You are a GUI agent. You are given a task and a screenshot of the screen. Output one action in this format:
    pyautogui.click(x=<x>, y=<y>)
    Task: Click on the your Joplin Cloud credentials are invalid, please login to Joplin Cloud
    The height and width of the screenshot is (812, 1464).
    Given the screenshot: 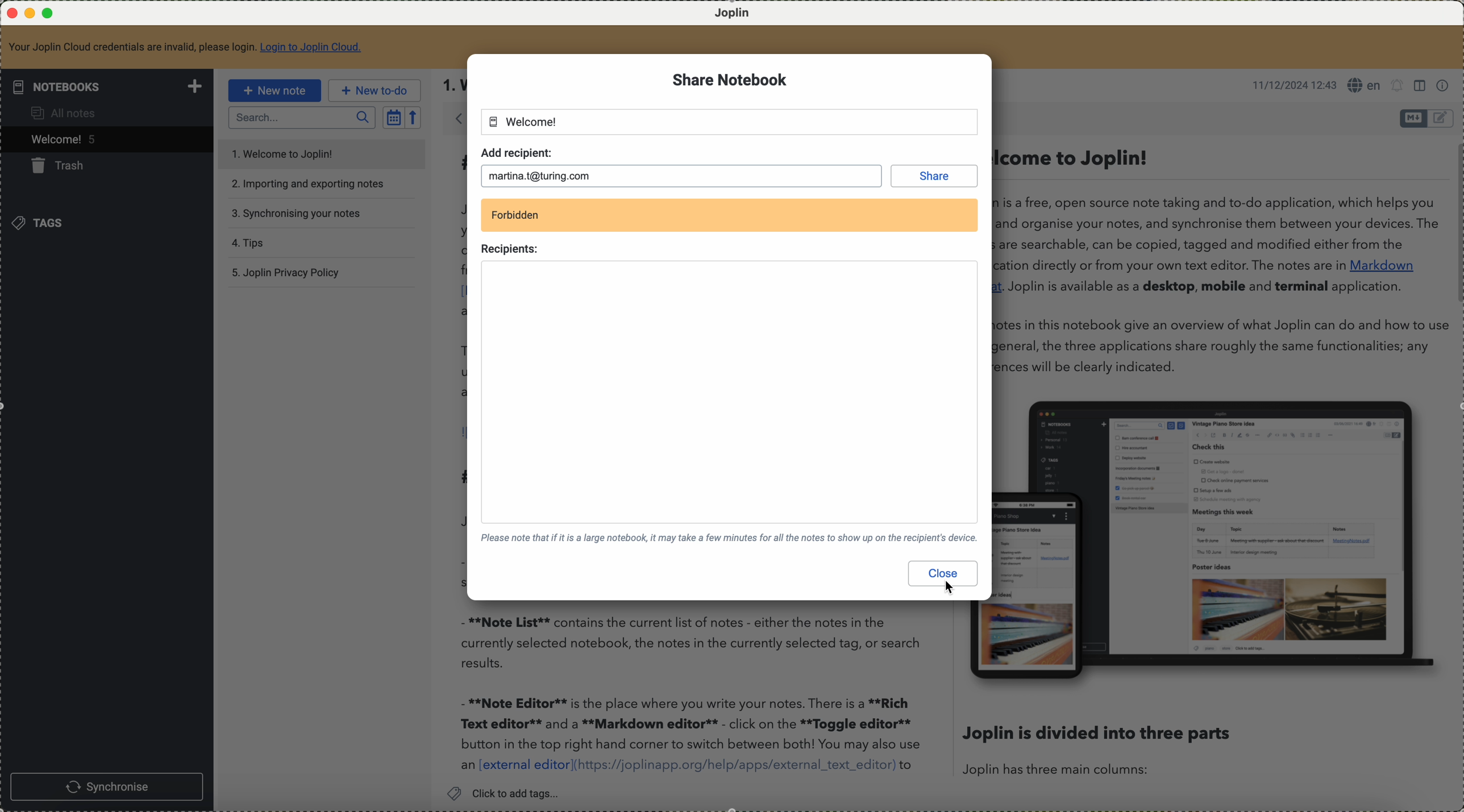 What is the action you would take?
    pyautogui.click(x=186, y=47)
    